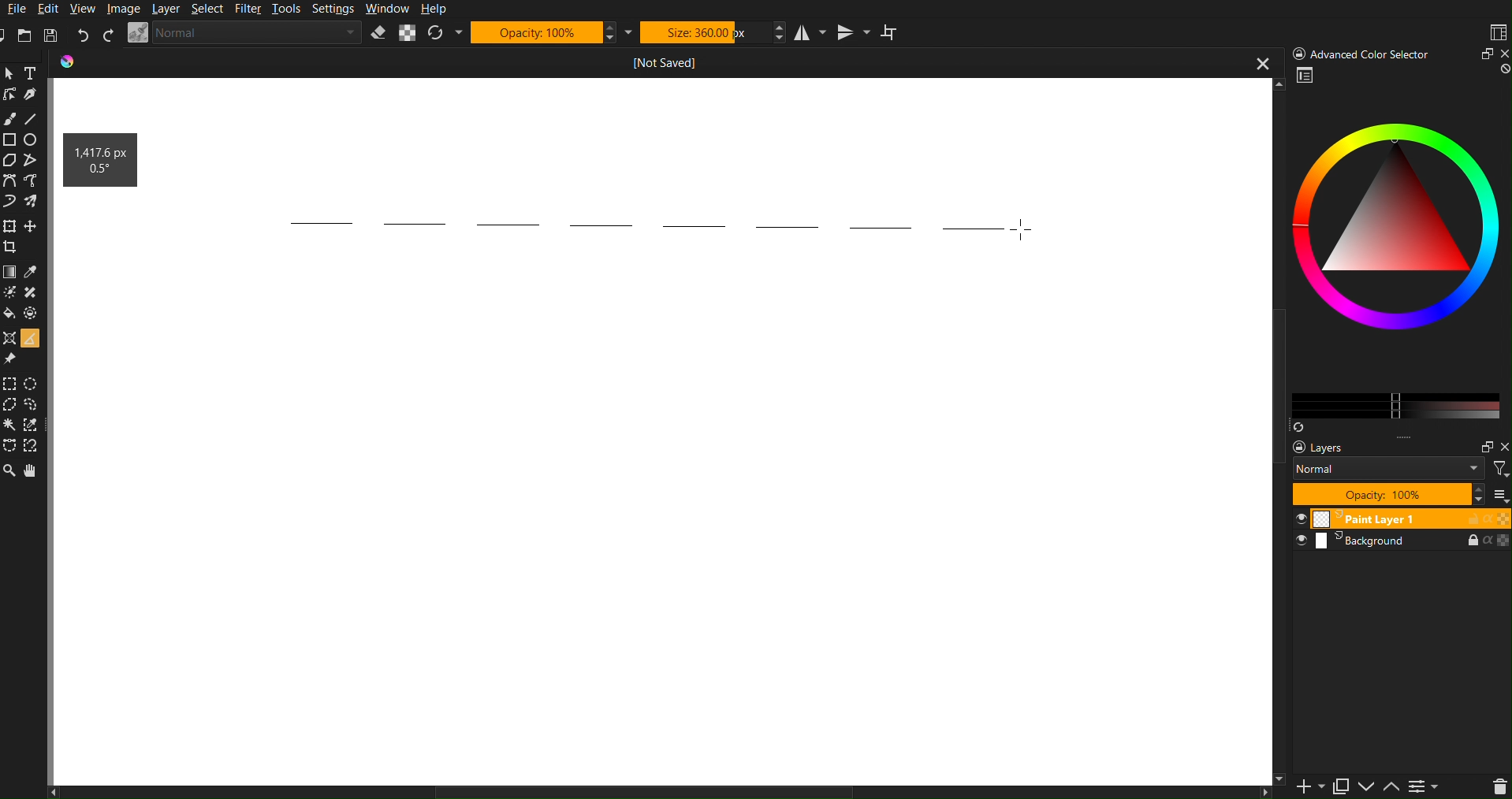 The image size is (1512, 799). What do you see at coordinates (83, 35) in the screenshot?
I see `Undo` at bounding box center [83, 35].